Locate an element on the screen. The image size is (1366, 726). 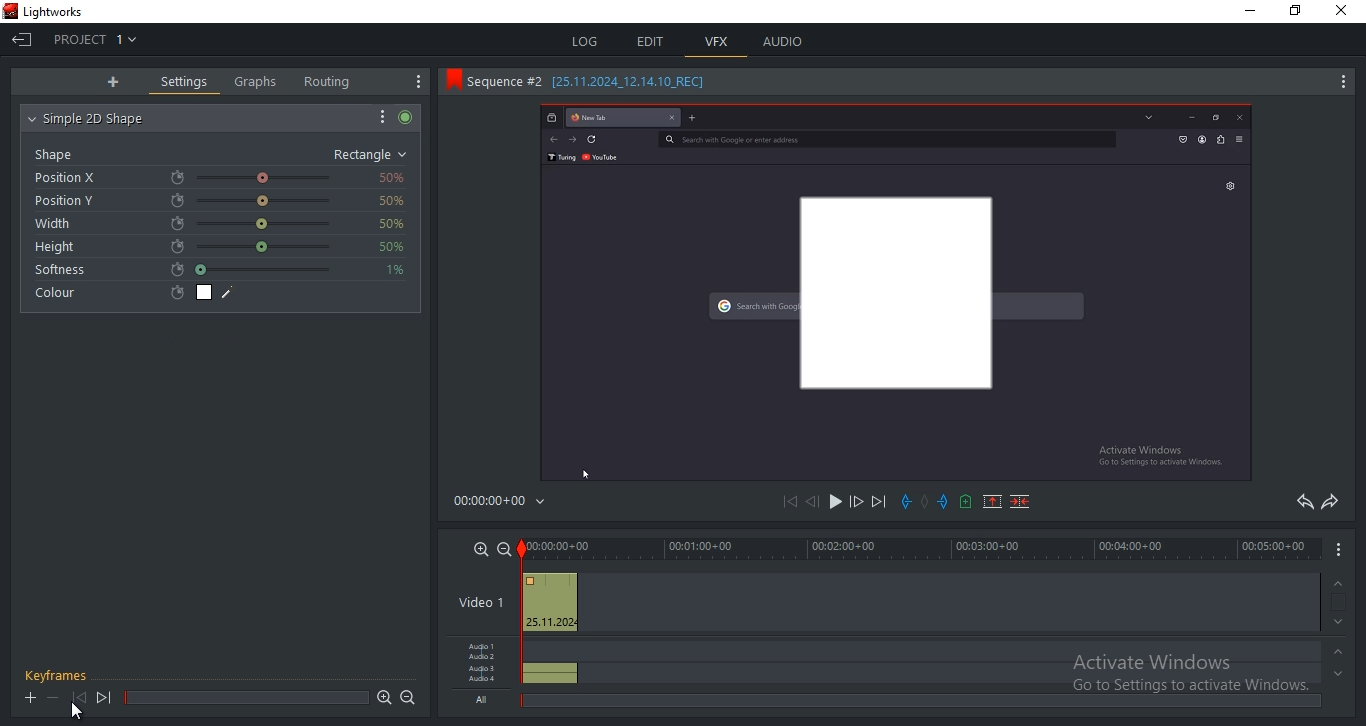
options is located at coordinates (1343, 549).